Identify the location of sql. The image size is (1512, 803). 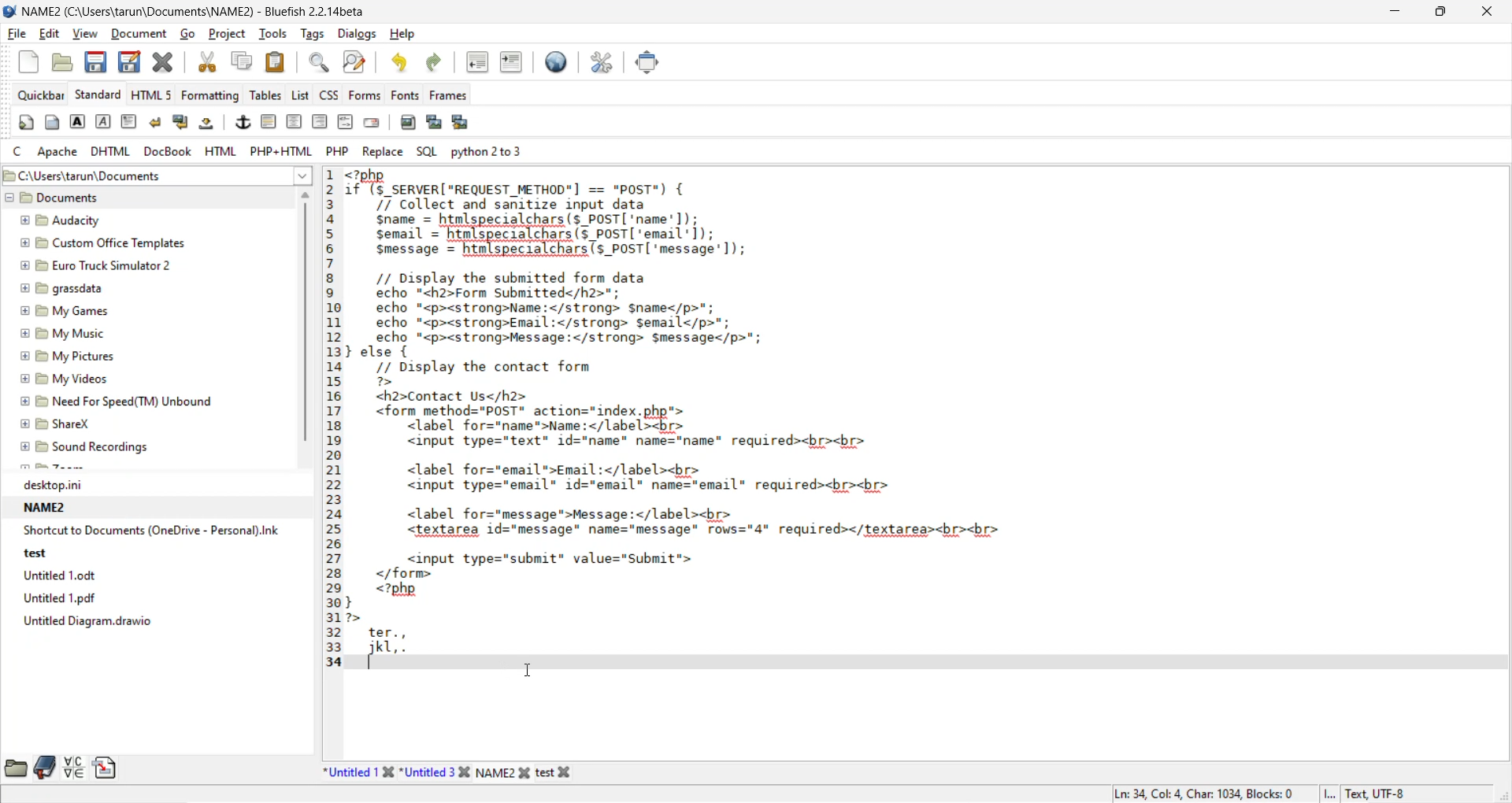
(426, 148).